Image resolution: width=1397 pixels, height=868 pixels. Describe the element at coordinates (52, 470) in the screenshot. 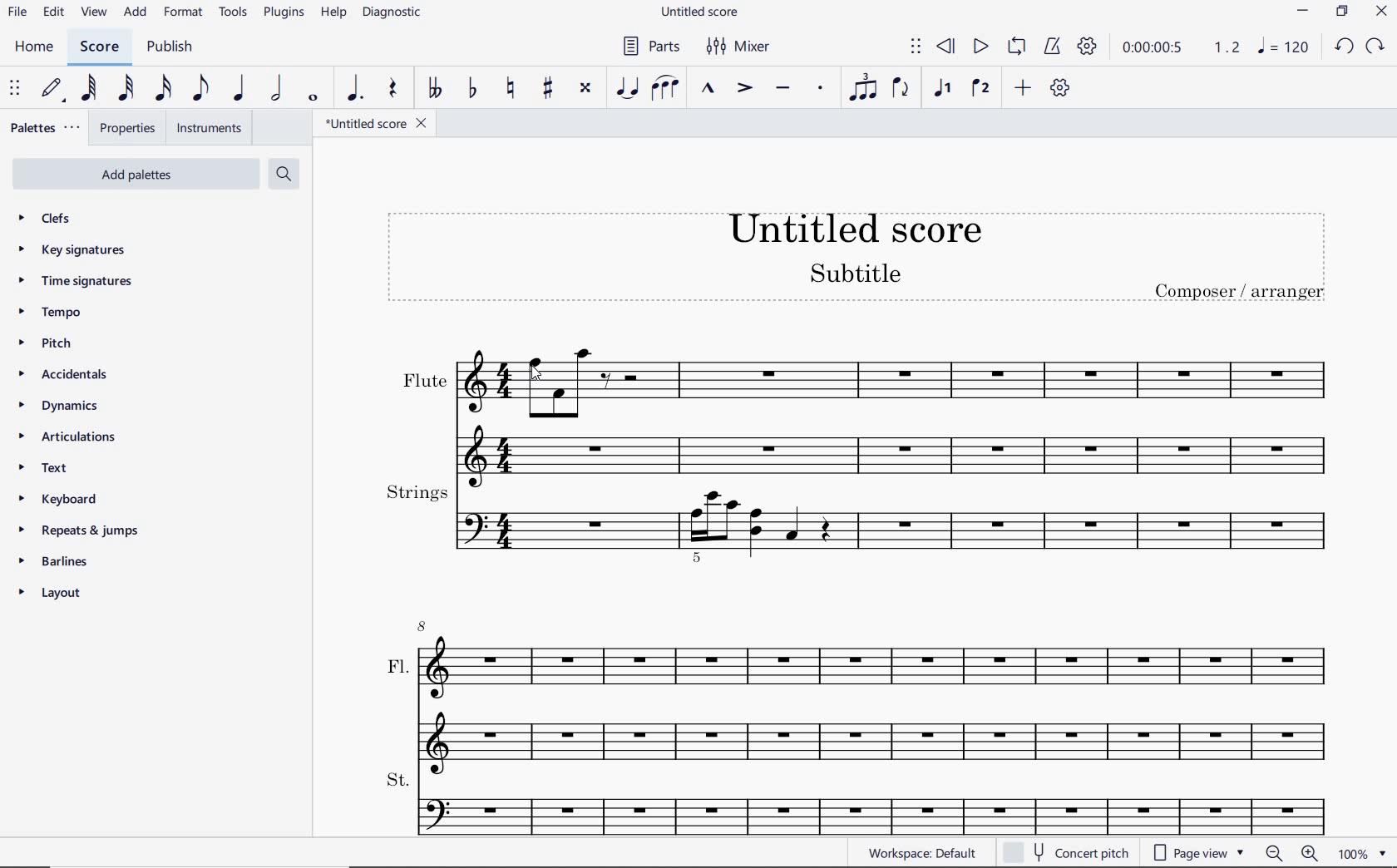

I see `text` at that location.